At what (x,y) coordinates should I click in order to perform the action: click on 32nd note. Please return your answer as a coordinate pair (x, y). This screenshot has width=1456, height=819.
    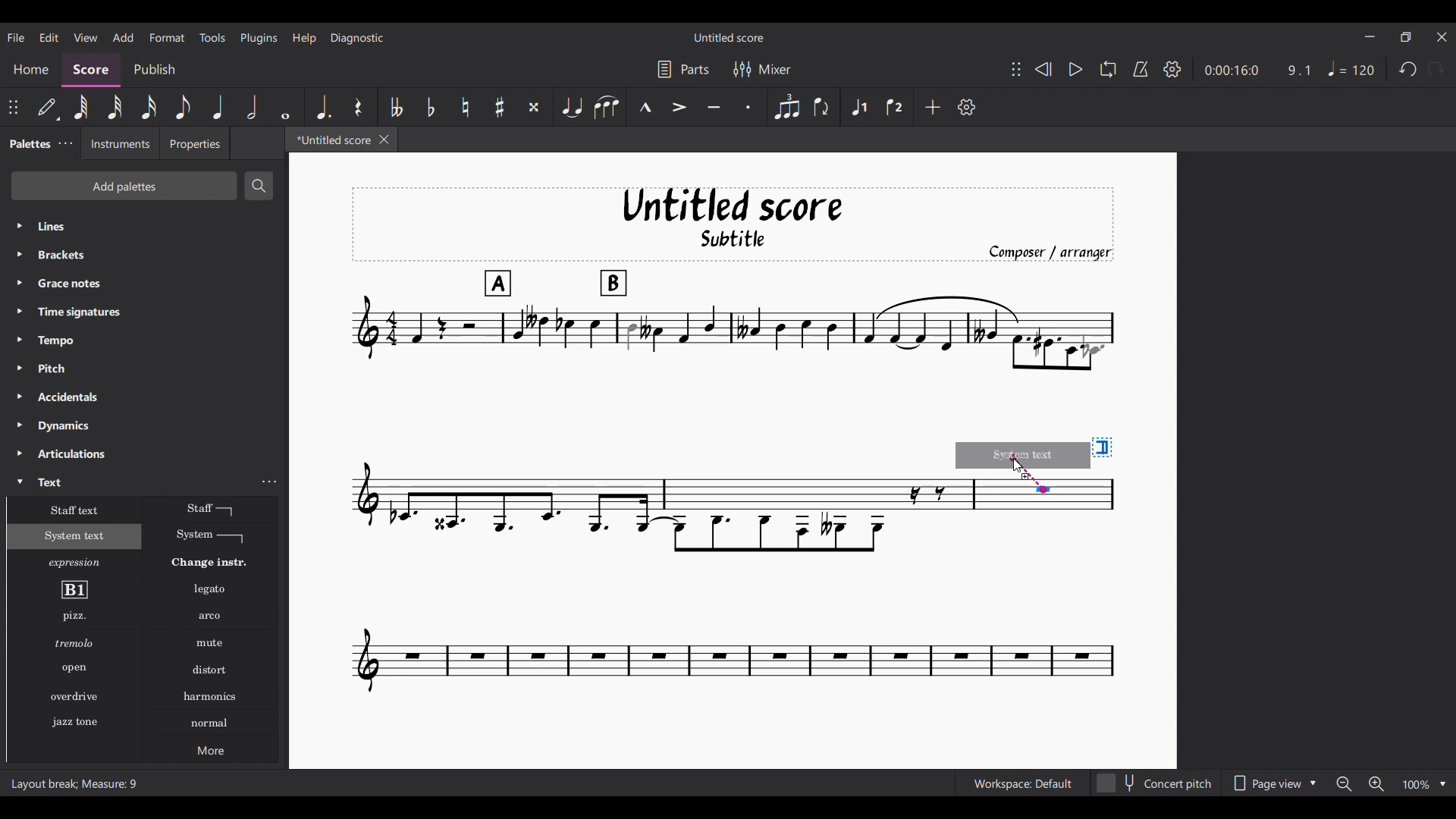
    Looking at the image, I should click on (115, 107).